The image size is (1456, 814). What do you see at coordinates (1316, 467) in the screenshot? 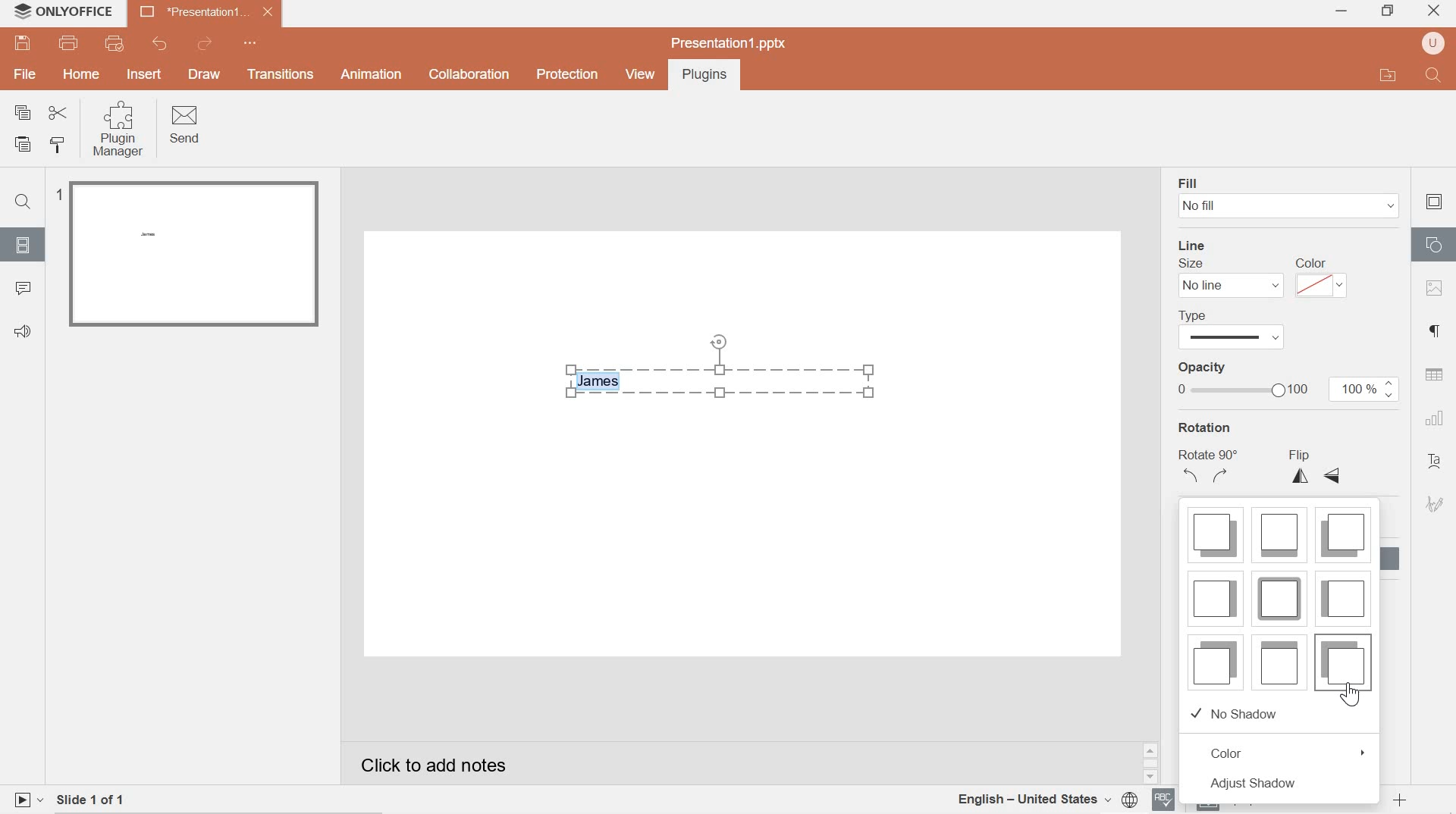
I see `flip` at bounding box center [1316, 467].